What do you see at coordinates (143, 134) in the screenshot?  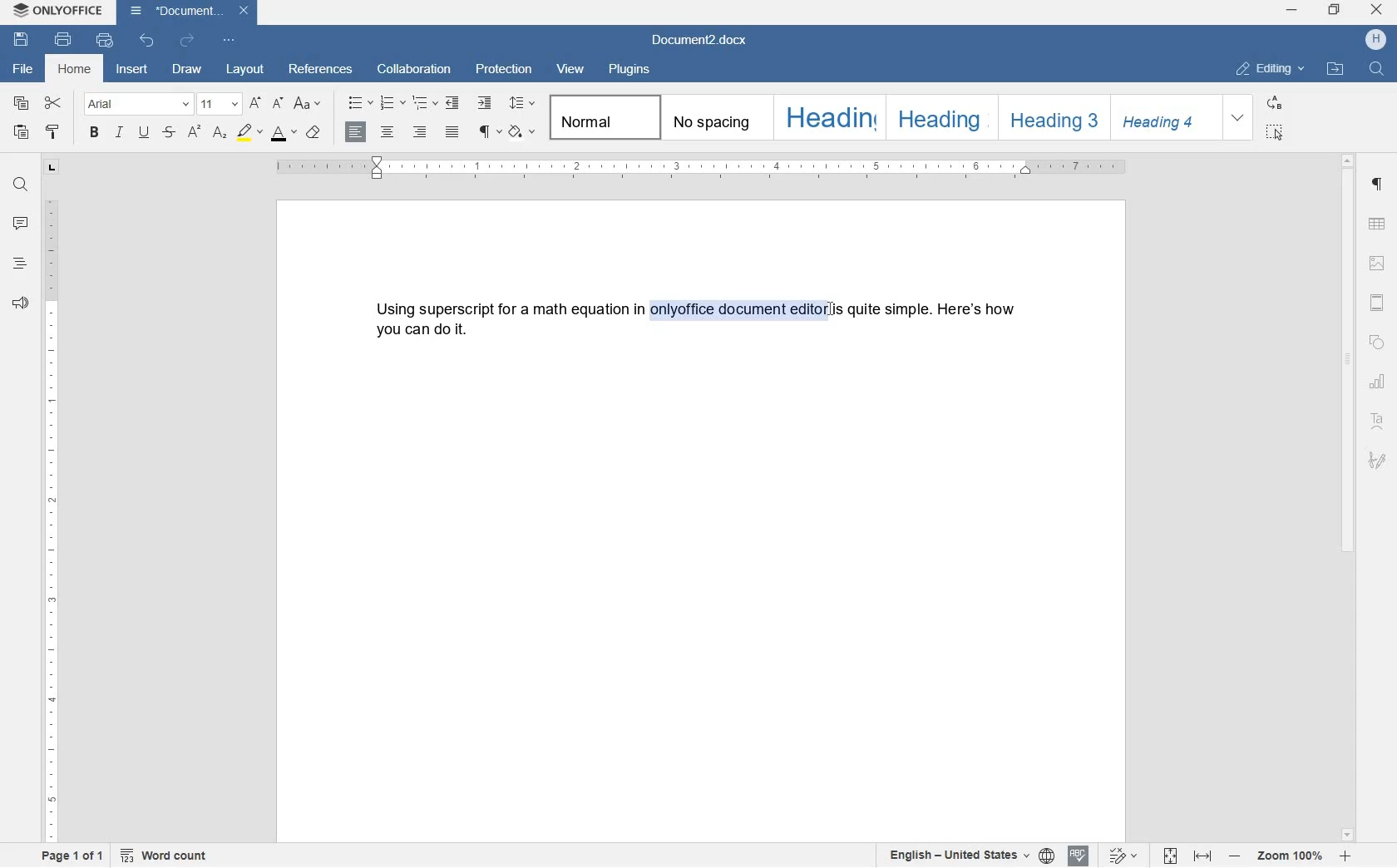 I see `underline` at bounding box center [143, 134].